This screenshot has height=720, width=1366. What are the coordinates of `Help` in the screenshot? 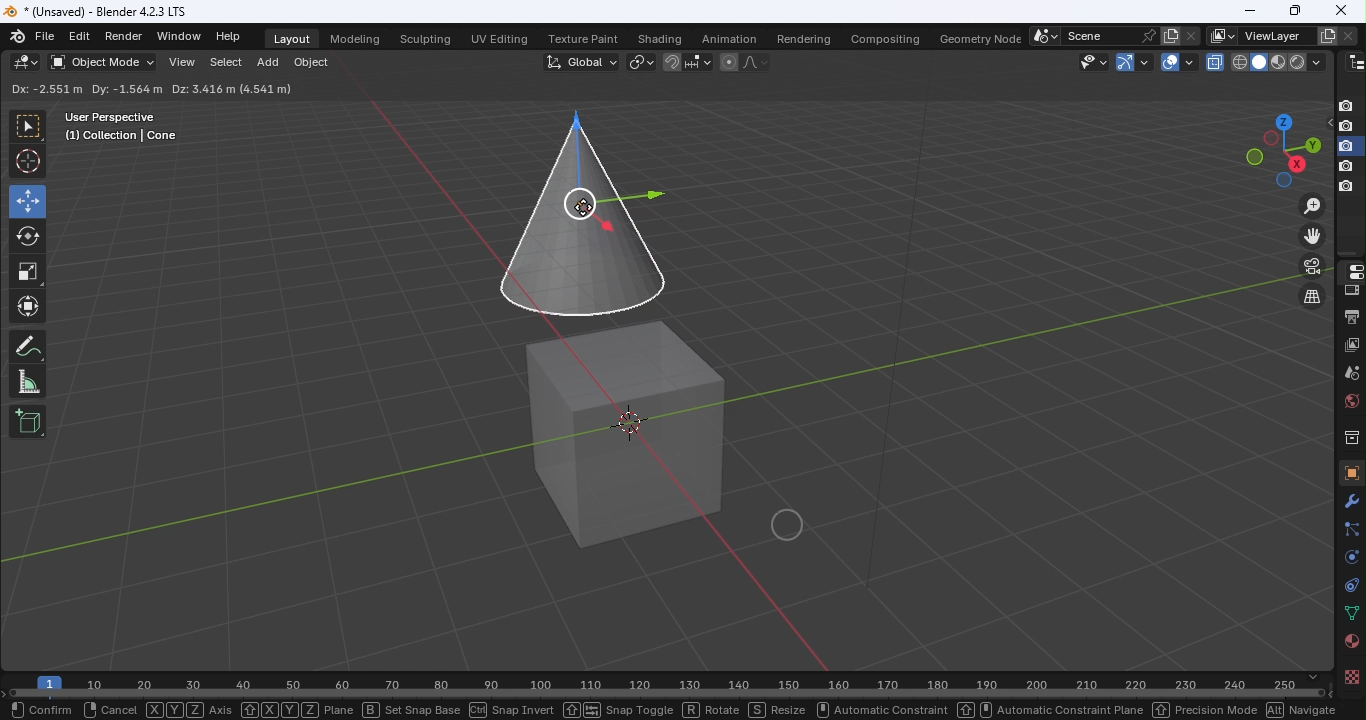 It's located at (231, 36).